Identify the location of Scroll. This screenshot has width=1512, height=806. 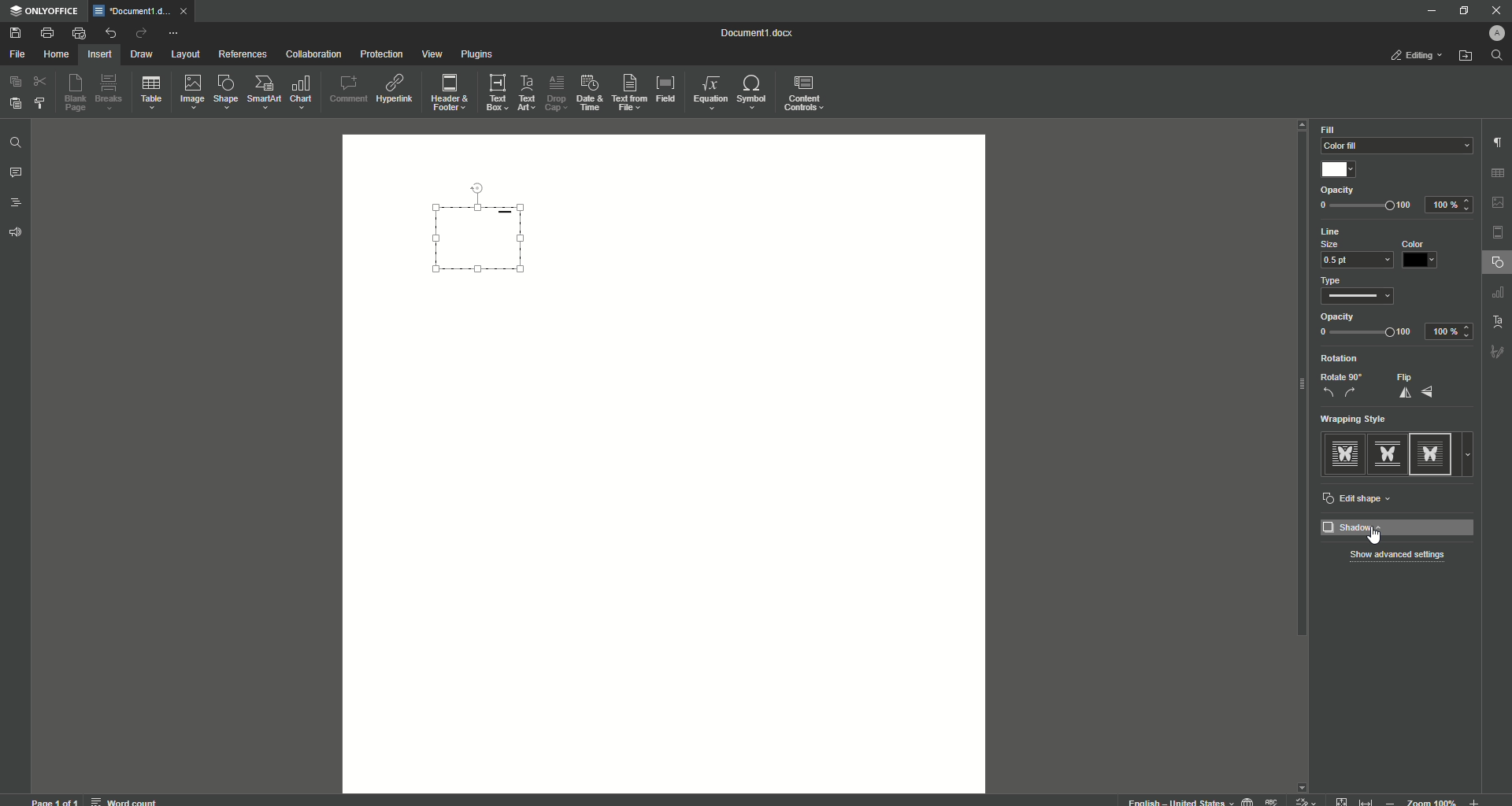
(1299, 394).